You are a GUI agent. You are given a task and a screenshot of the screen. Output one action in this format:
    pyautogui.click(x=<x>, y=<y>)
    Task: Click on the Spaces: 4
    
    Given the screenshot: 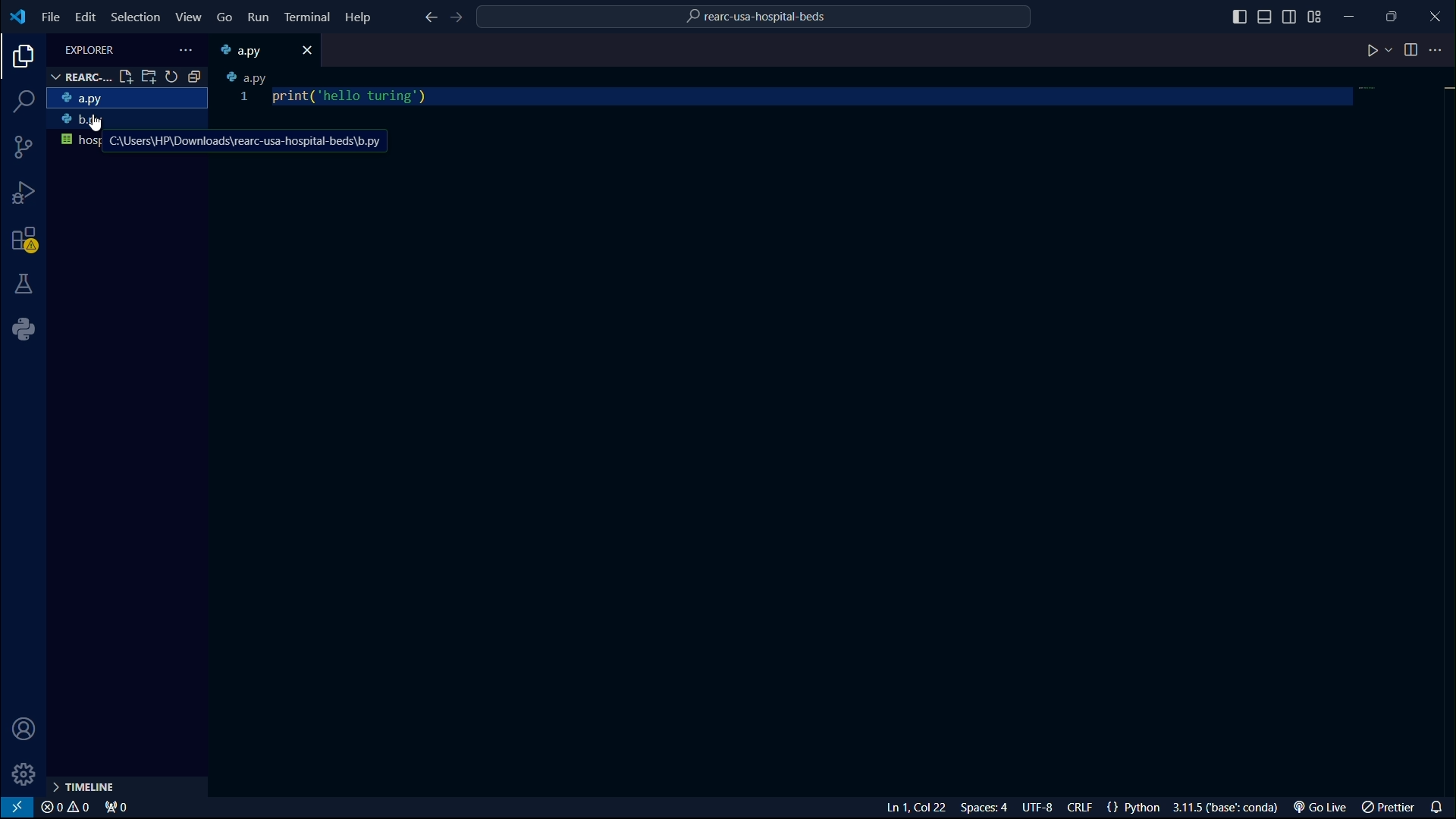 What is the action you would take?
    pyautogui.click(x=988, y=808)
    